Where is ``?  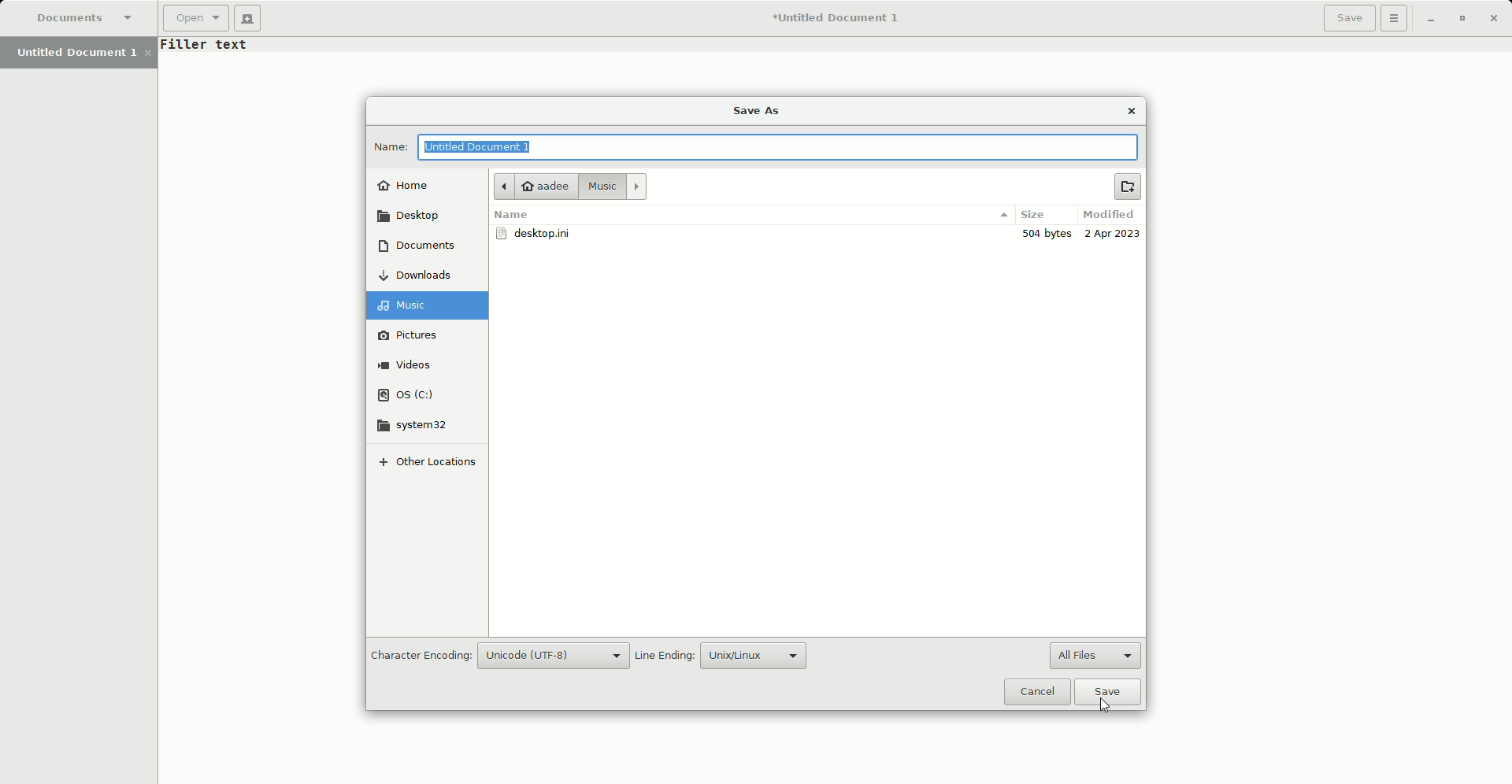  is located at coordinates (510, 215).